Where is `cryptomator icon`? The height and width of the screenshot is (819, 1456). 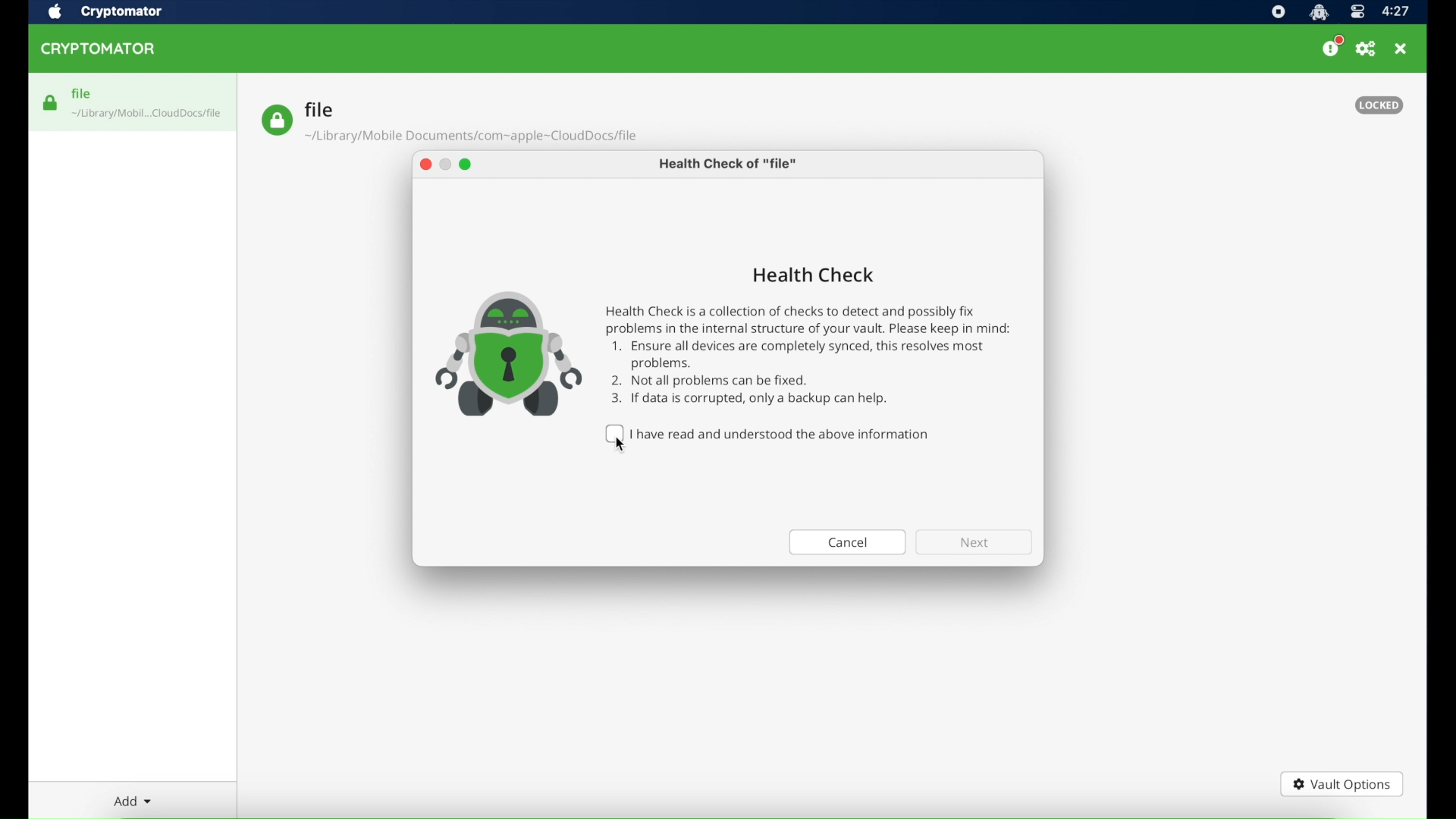
cryptomator icon is located at coordinates (1319, 12).